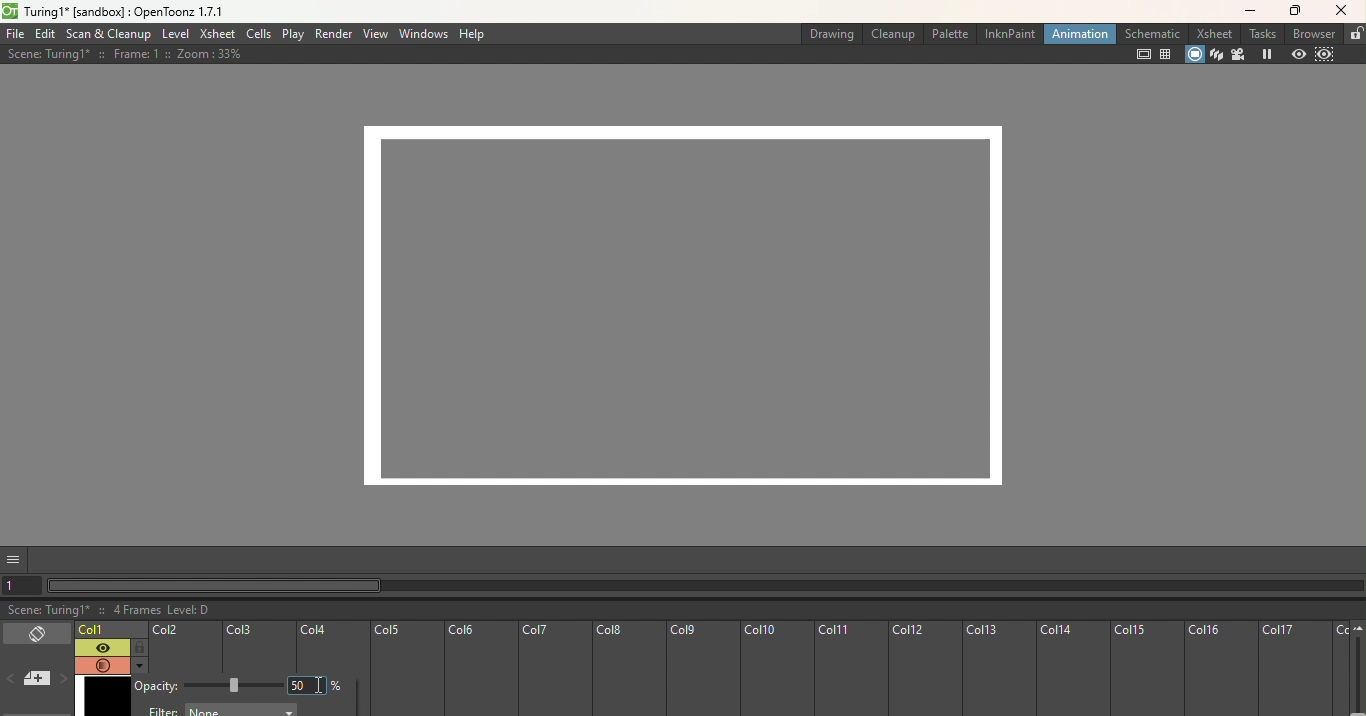 The image size is (1366, 716). What do you see at coordinates (206, 687) in the screenshot?
I see `Opacity` at bounding box center [206, 687].